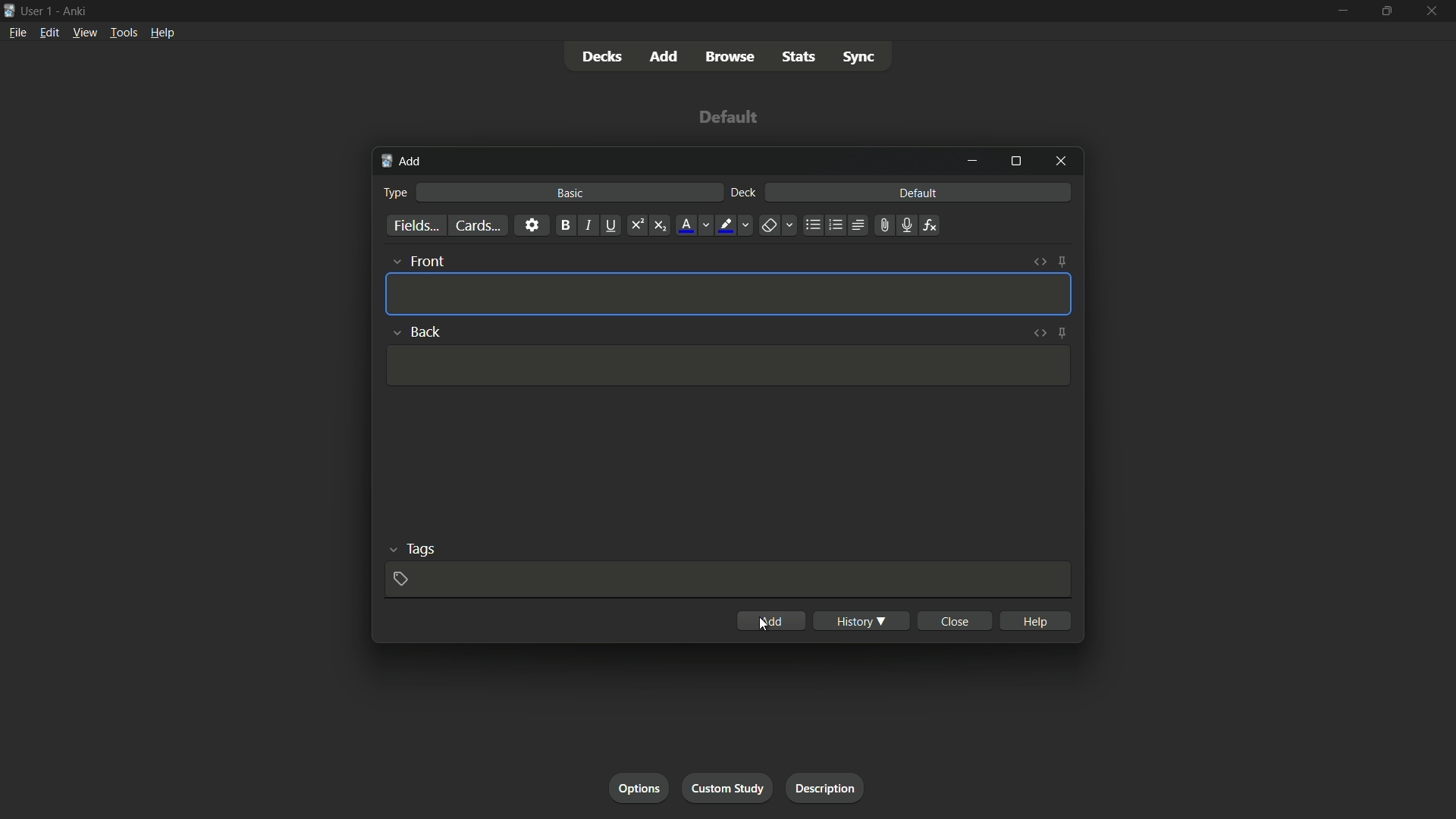 The image size is (1456, 819). Describe the element at coordinates (604, 55) in the screenshot. I see `decks` at that location.